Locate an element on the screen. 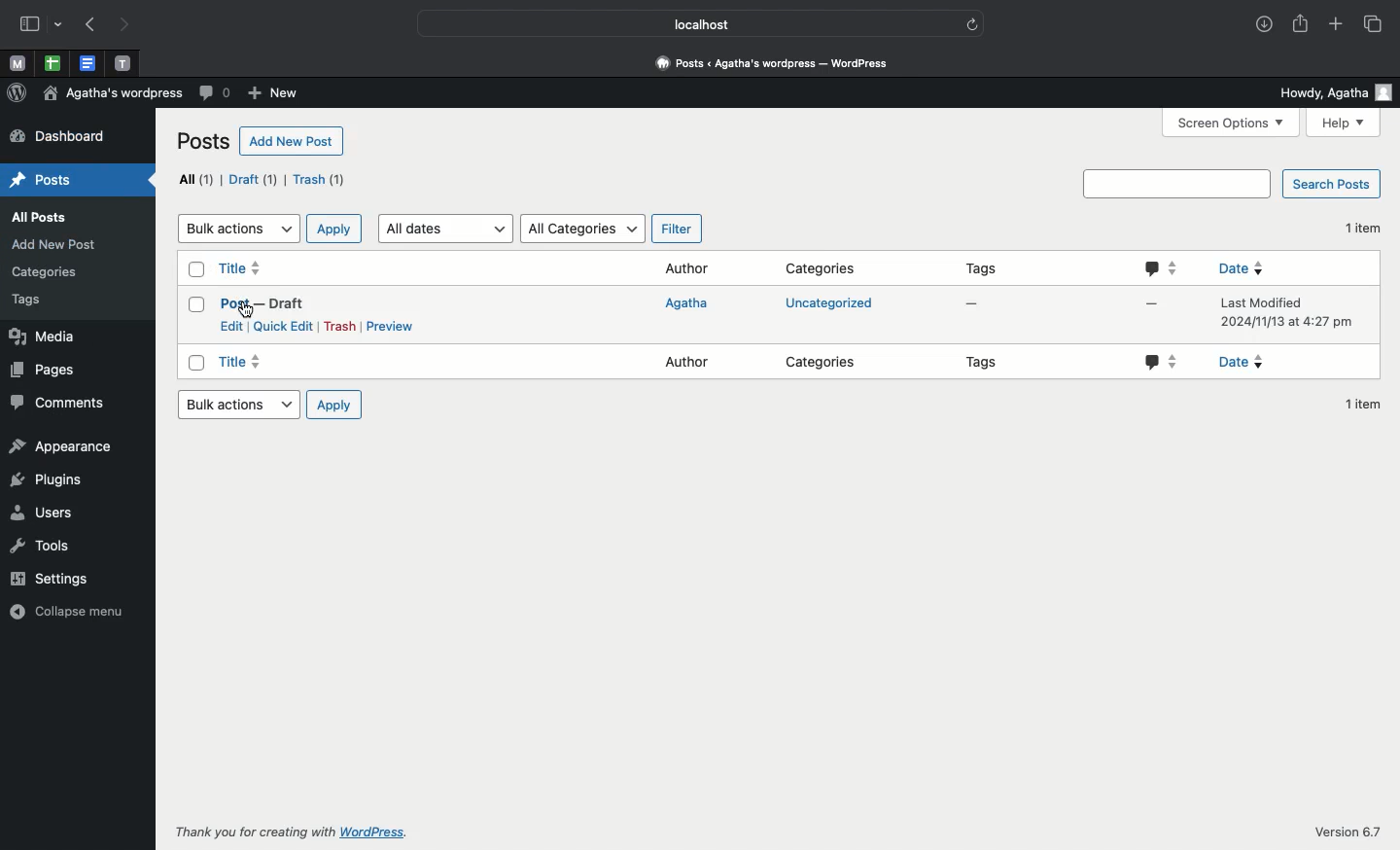 This screenshot has height=850, width=1400. Search is located at coordinates (1175, 183).